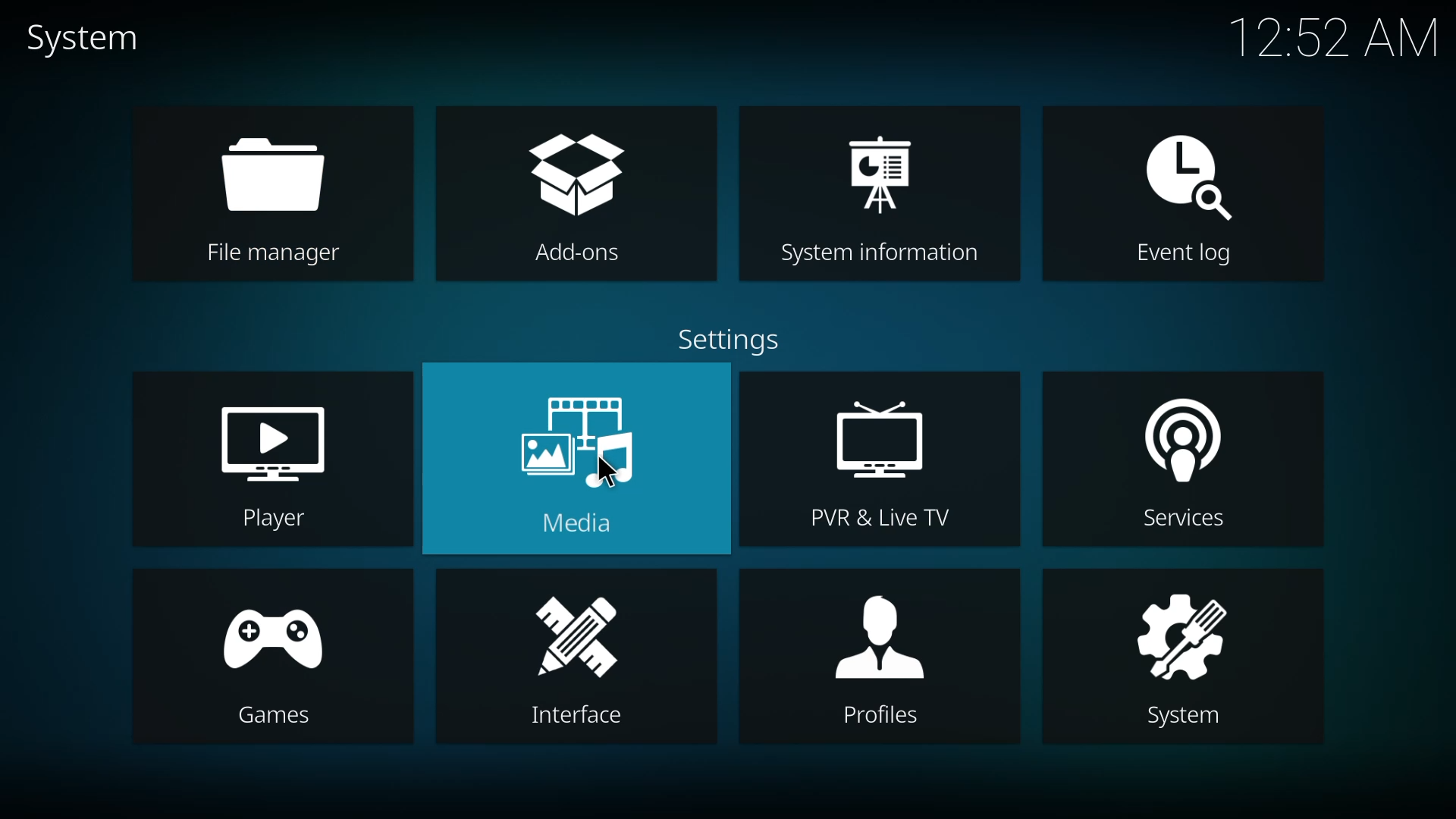 This screenshot has height=819, width=1456. What do you see at coordinates (1180, 258) in the screenshot?
I see `Event log` at bounding box center [1180, 258].